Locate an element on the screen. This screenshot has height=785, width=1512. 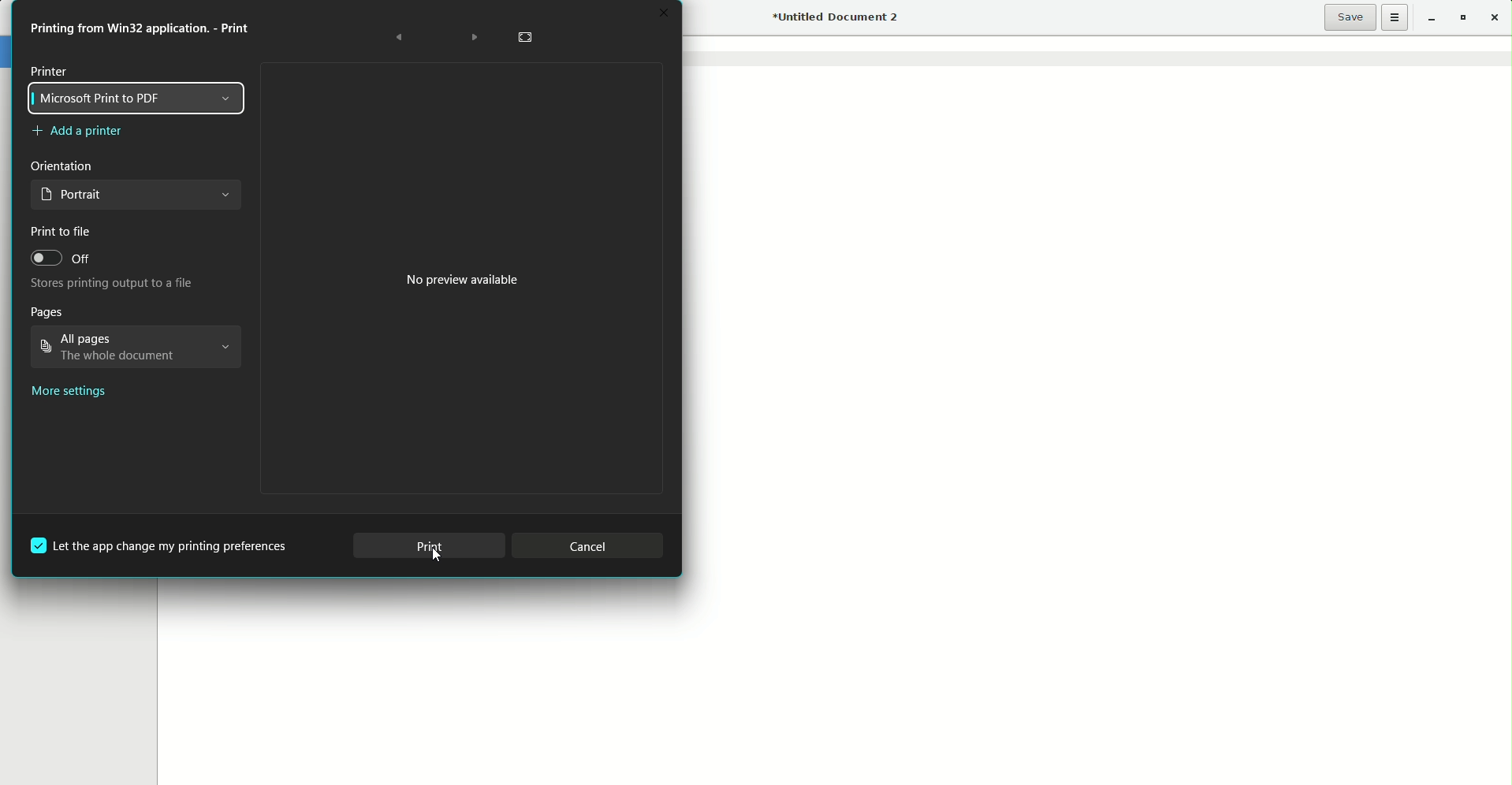
Portrait is located at coordinates (137, 197).